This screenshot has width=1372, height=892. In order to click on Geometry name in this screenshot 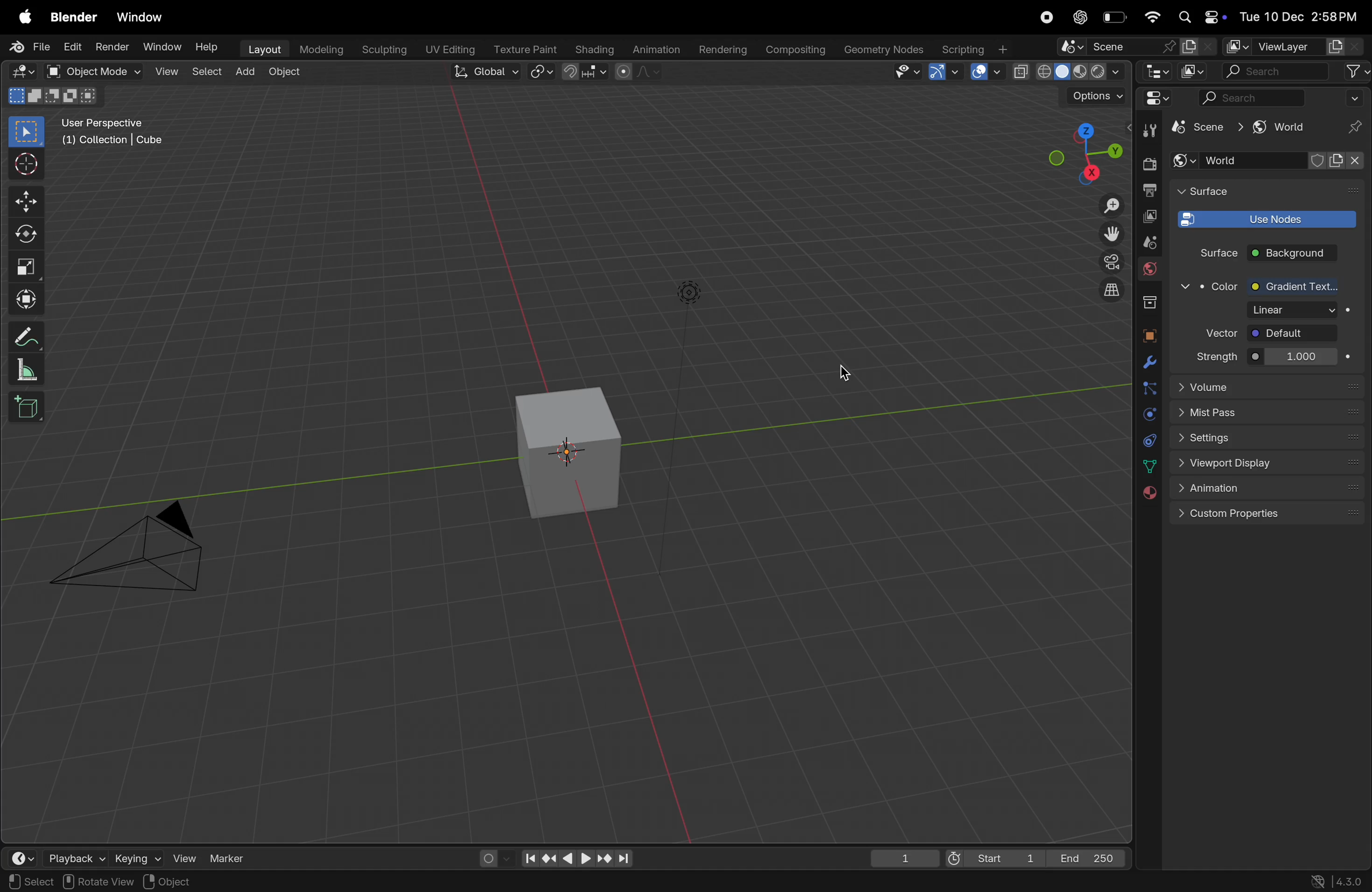, I will do `click(884, 50)`.